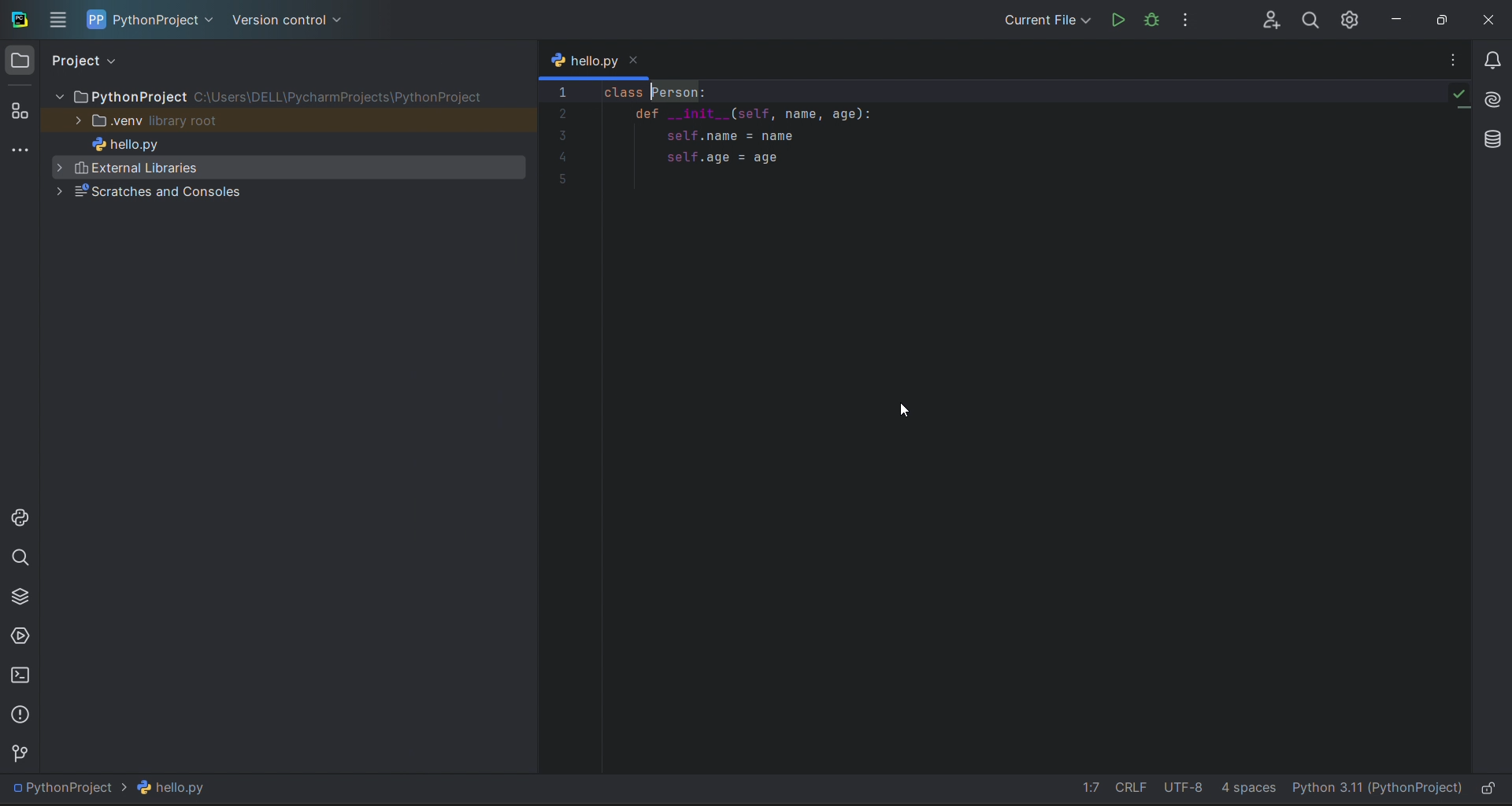  I want to click on Scratches and consoles, so click(285, 192).